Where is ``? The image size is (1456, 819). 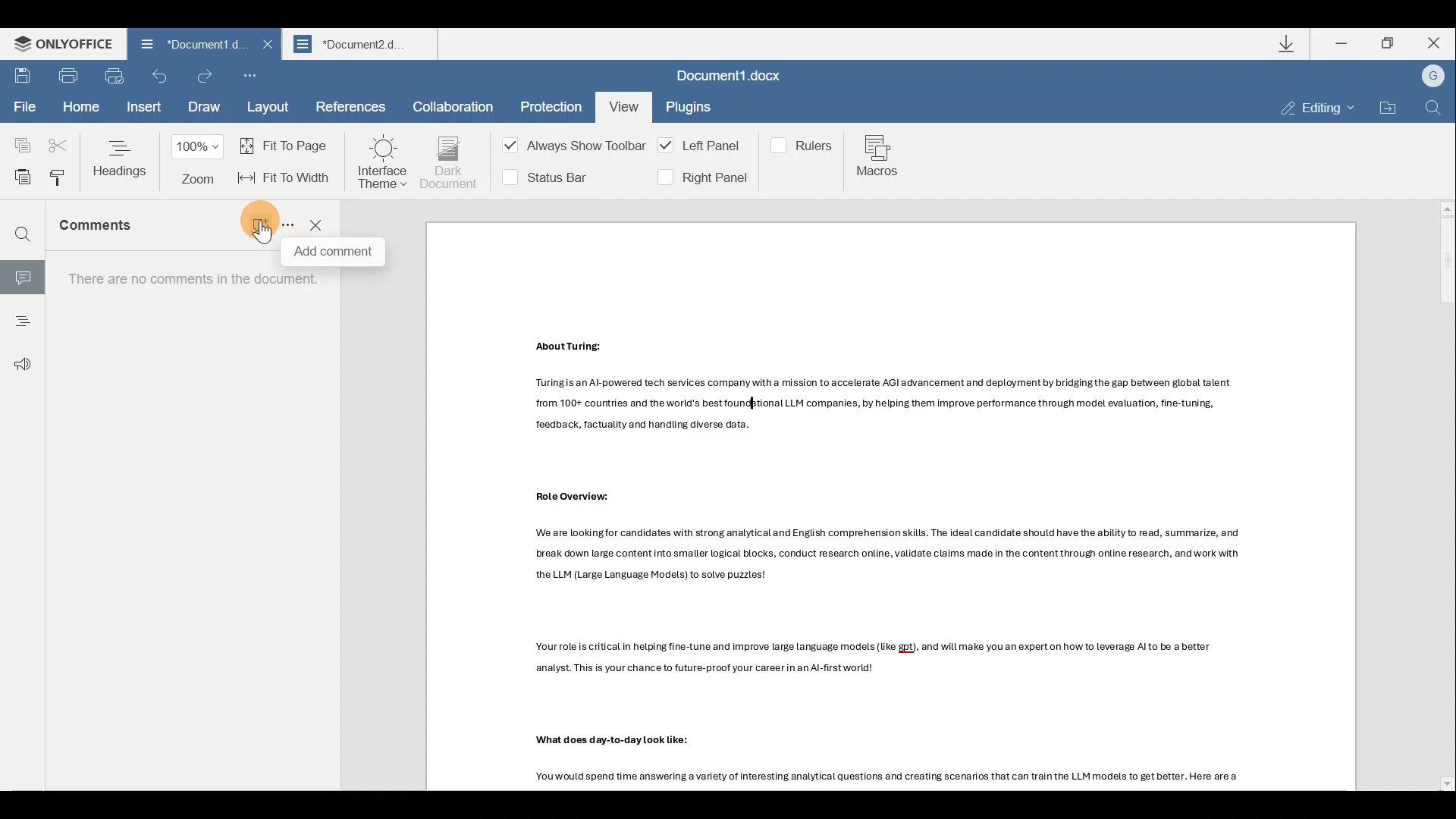  is located at coordinates (564, 347).